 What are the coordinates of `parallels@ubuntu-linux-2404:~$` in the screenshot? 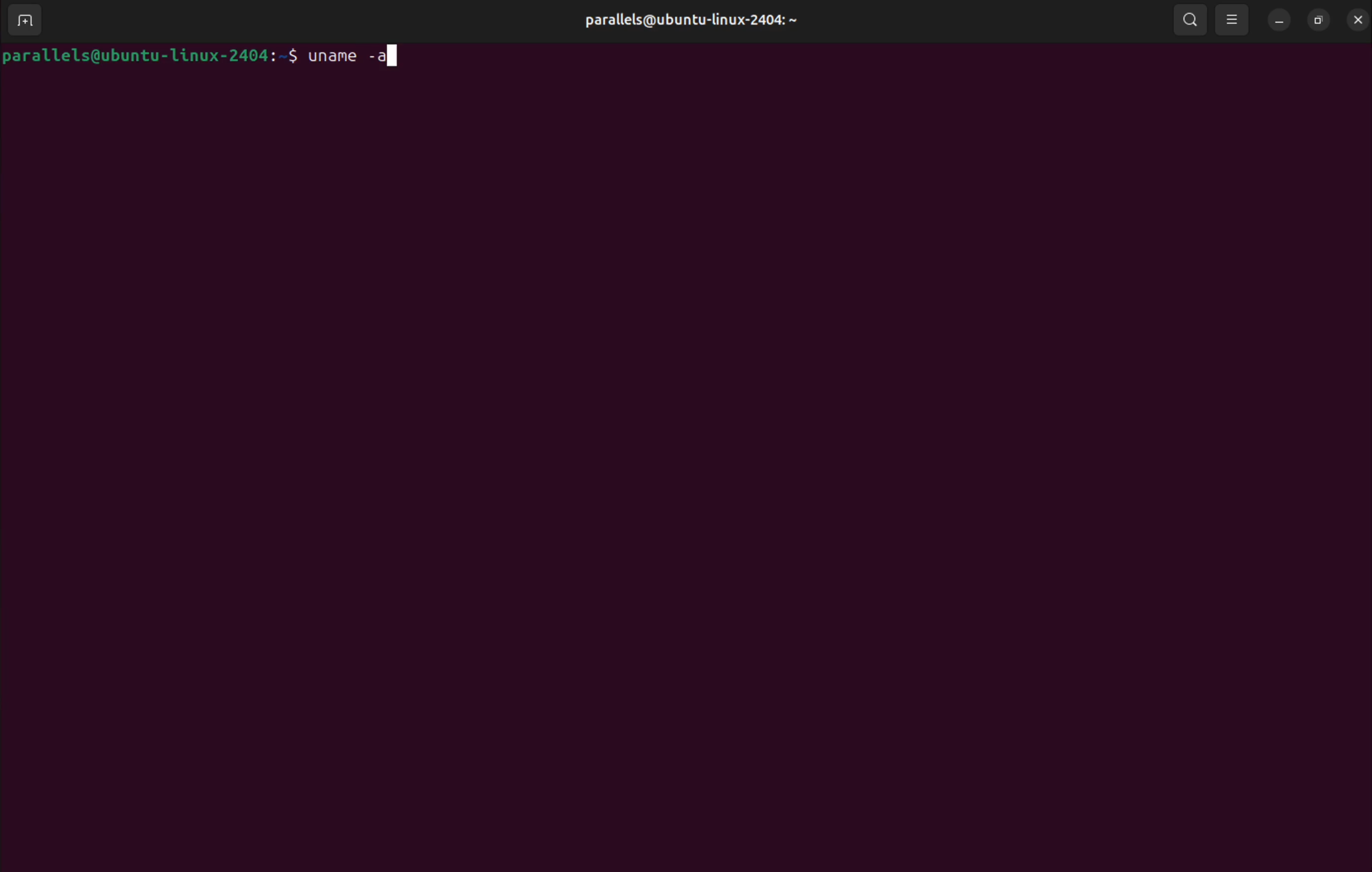 It's located at (153, 58).